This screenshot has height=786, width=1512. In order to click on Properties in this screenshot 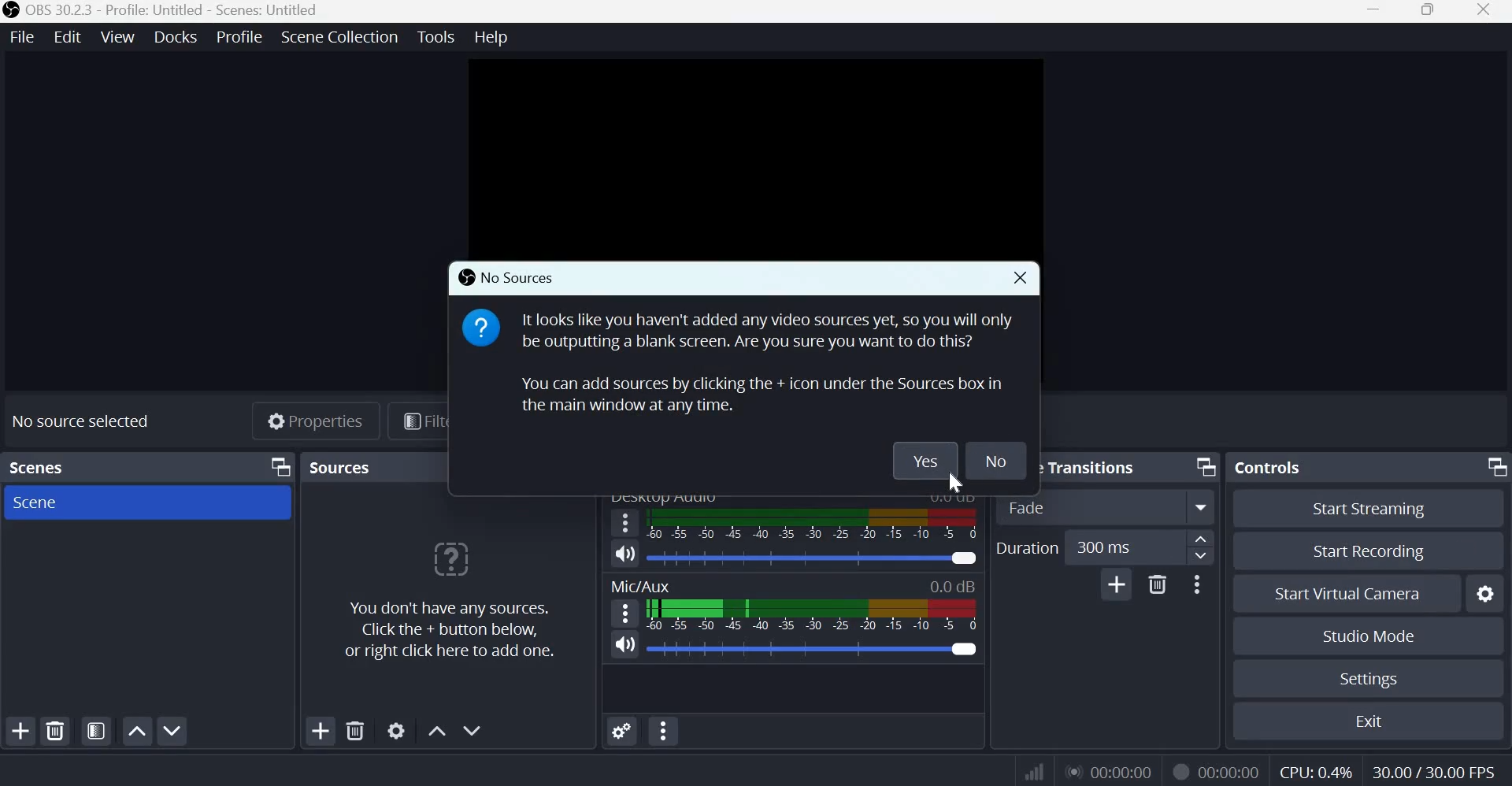, I will do `click(312, 421)`.